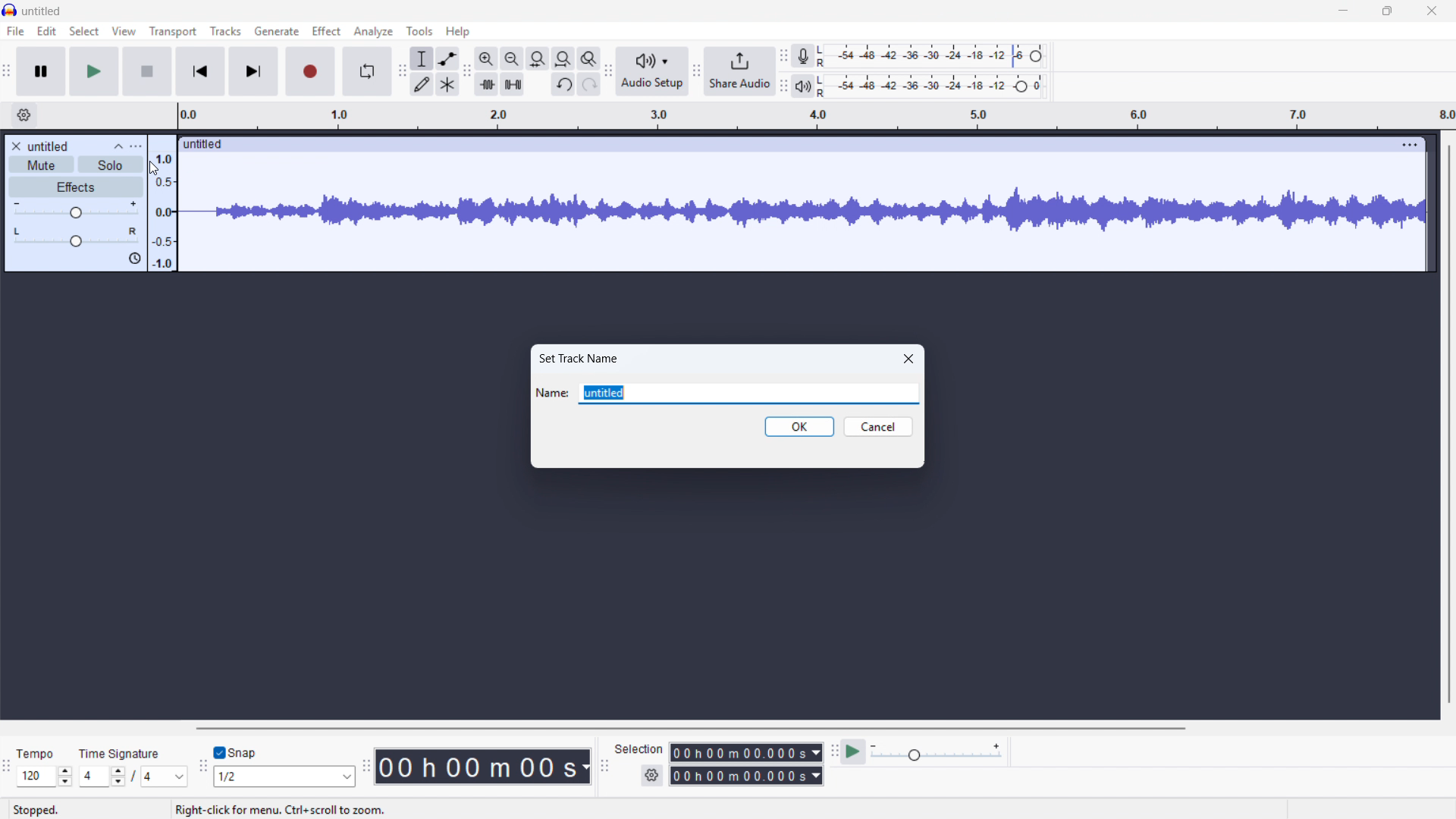  Describe the element at coordinates (16, 33) in the screenshot. I see `file ` at that location.